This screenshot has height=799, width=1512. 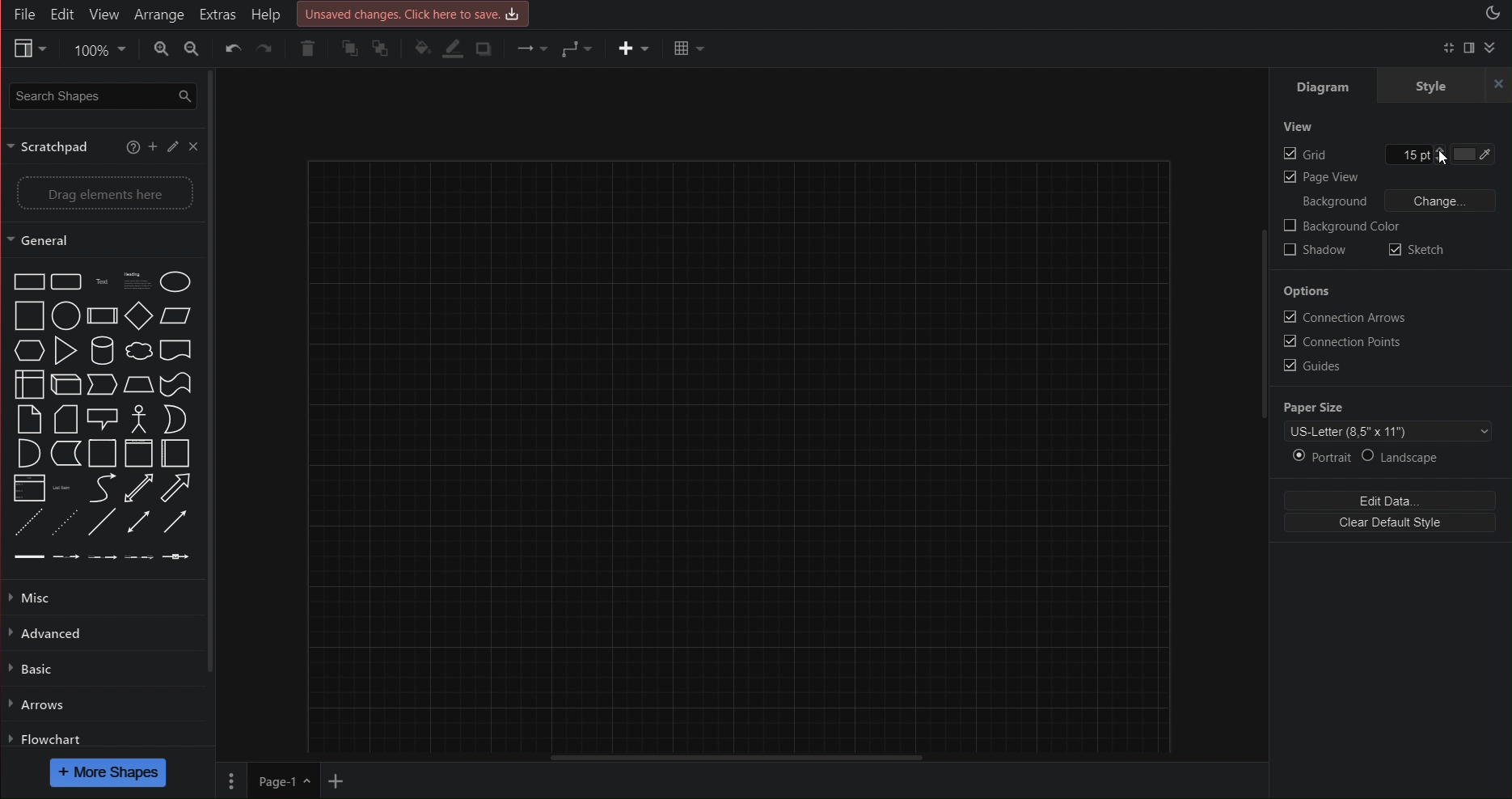 I want to click on big box, so click(x=23, y=314).